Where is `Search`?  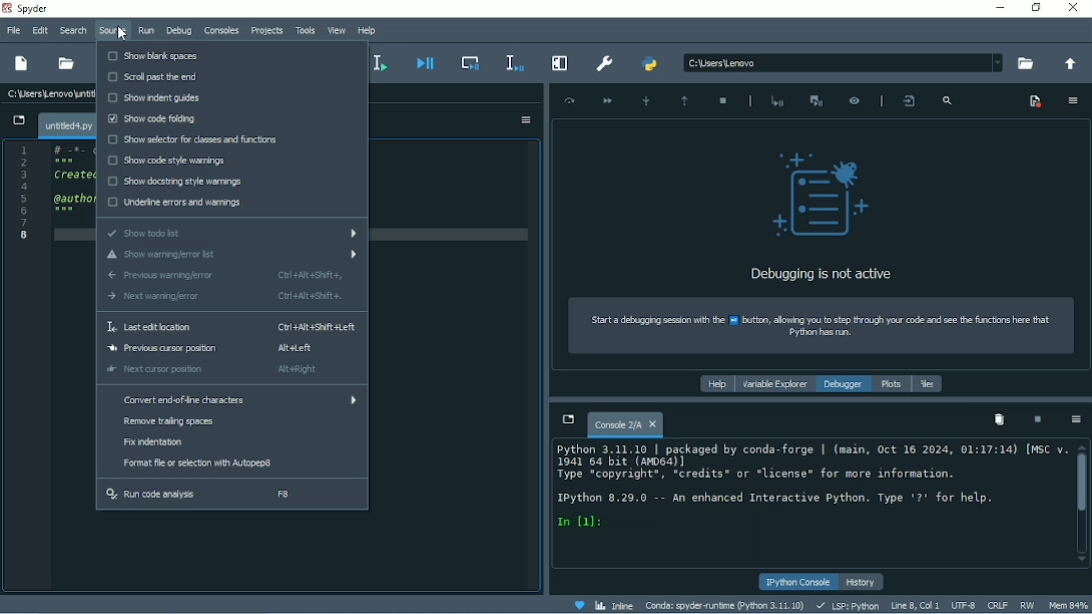 Search is located at coordinates (72, 30).